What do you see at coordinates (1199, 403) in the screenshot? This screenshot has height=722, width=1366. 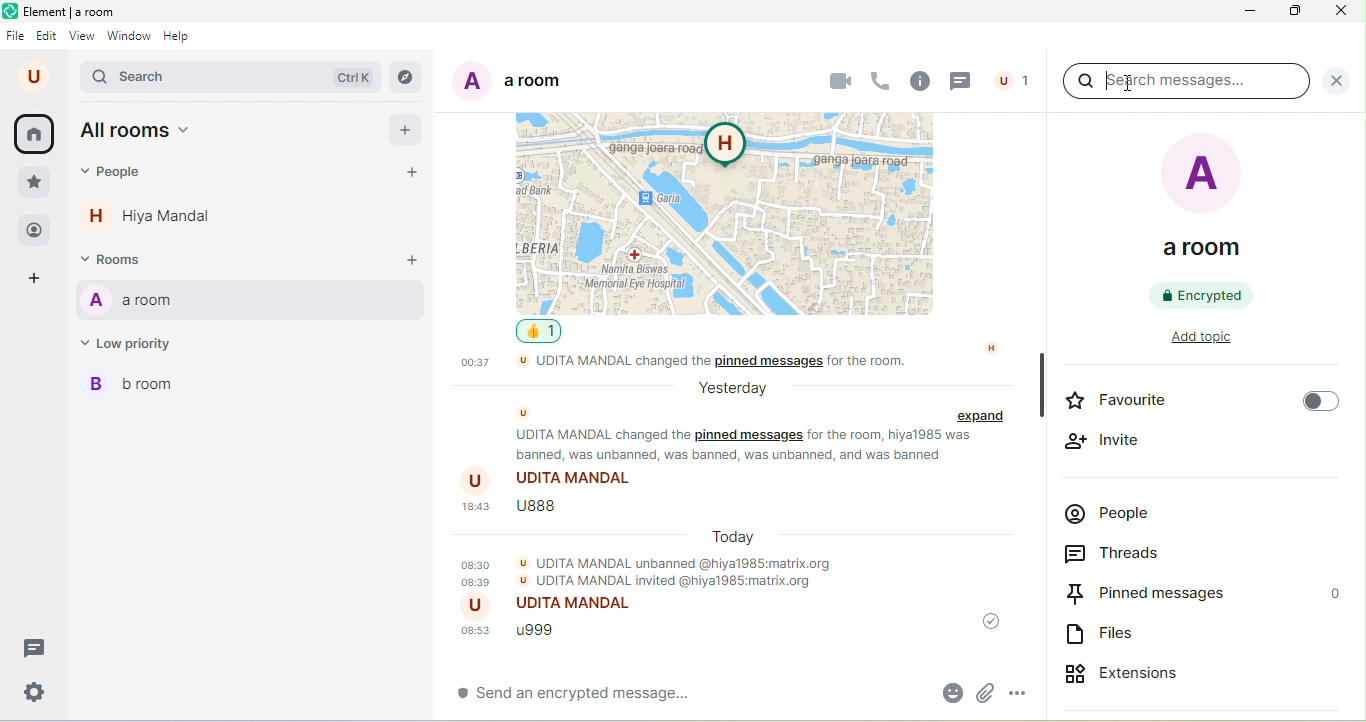 I see `favourite` at bounding box center [1199, 403].